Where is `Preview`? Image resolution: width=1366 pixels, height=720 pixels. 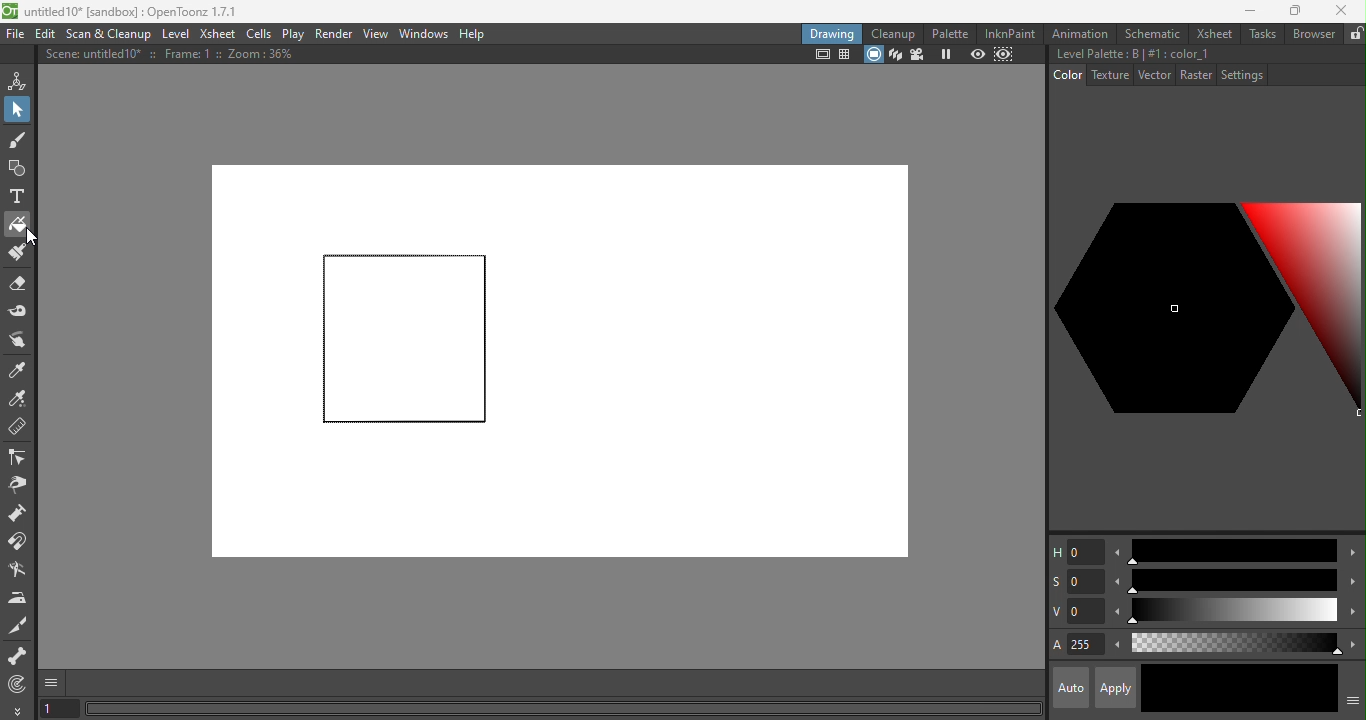 Preview is located at coordinates (978, 54).